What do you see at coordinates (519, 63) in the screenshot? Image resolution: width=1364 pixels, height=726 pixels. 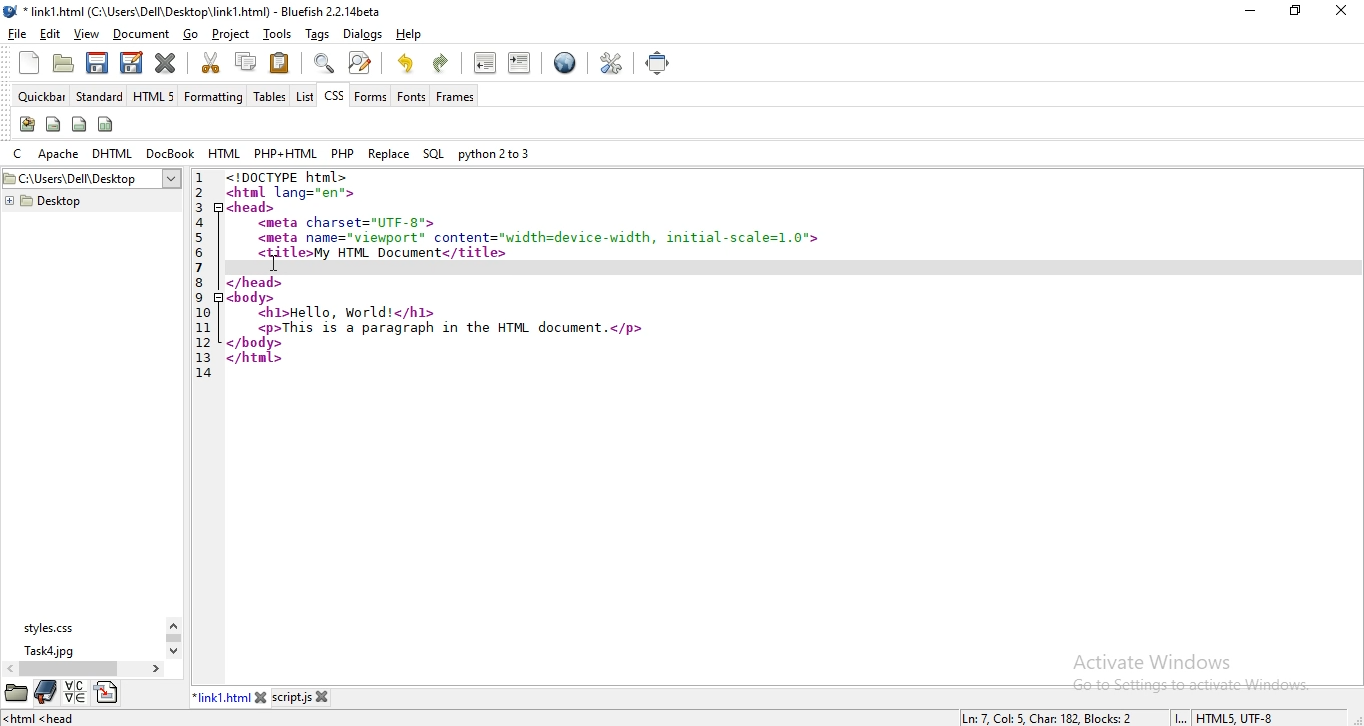 I see `indent ` at bounding box center [519, 63].